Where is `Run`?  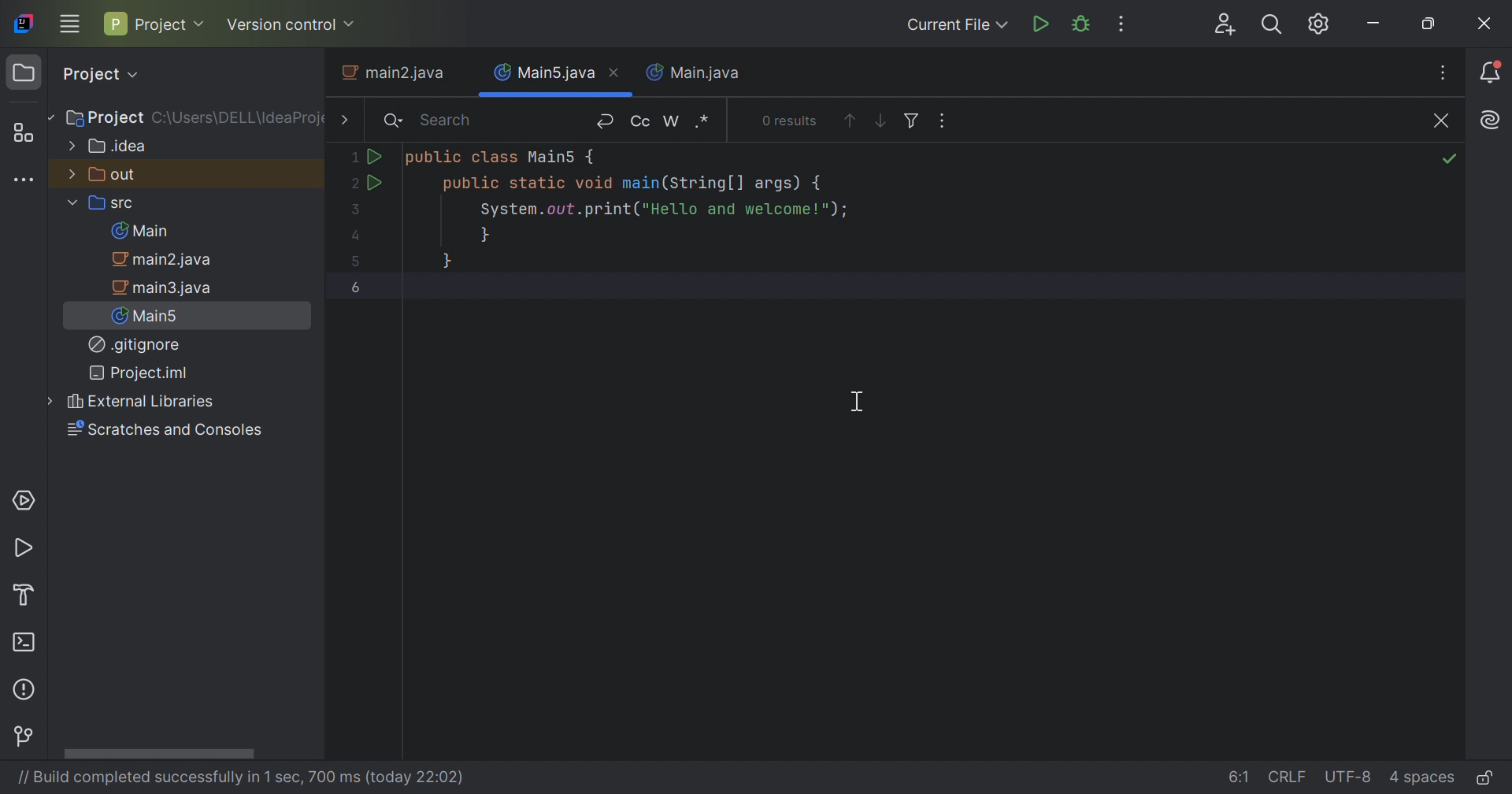 Run is located at coordinates (1043, 24).